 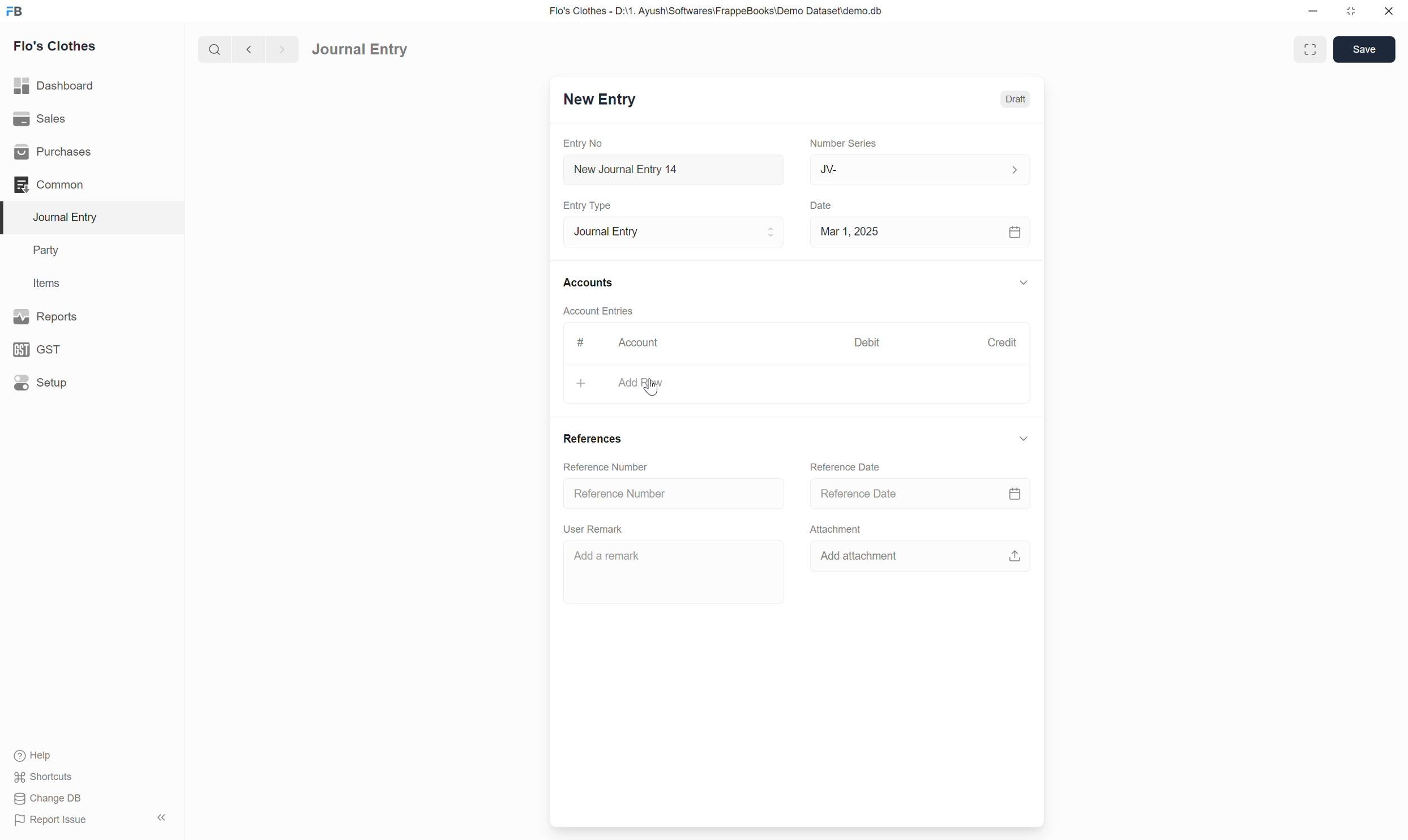 What do you see at coordinates (1022, 284) in the screenshot?
I see `down` at bounding box center [1022, 284].